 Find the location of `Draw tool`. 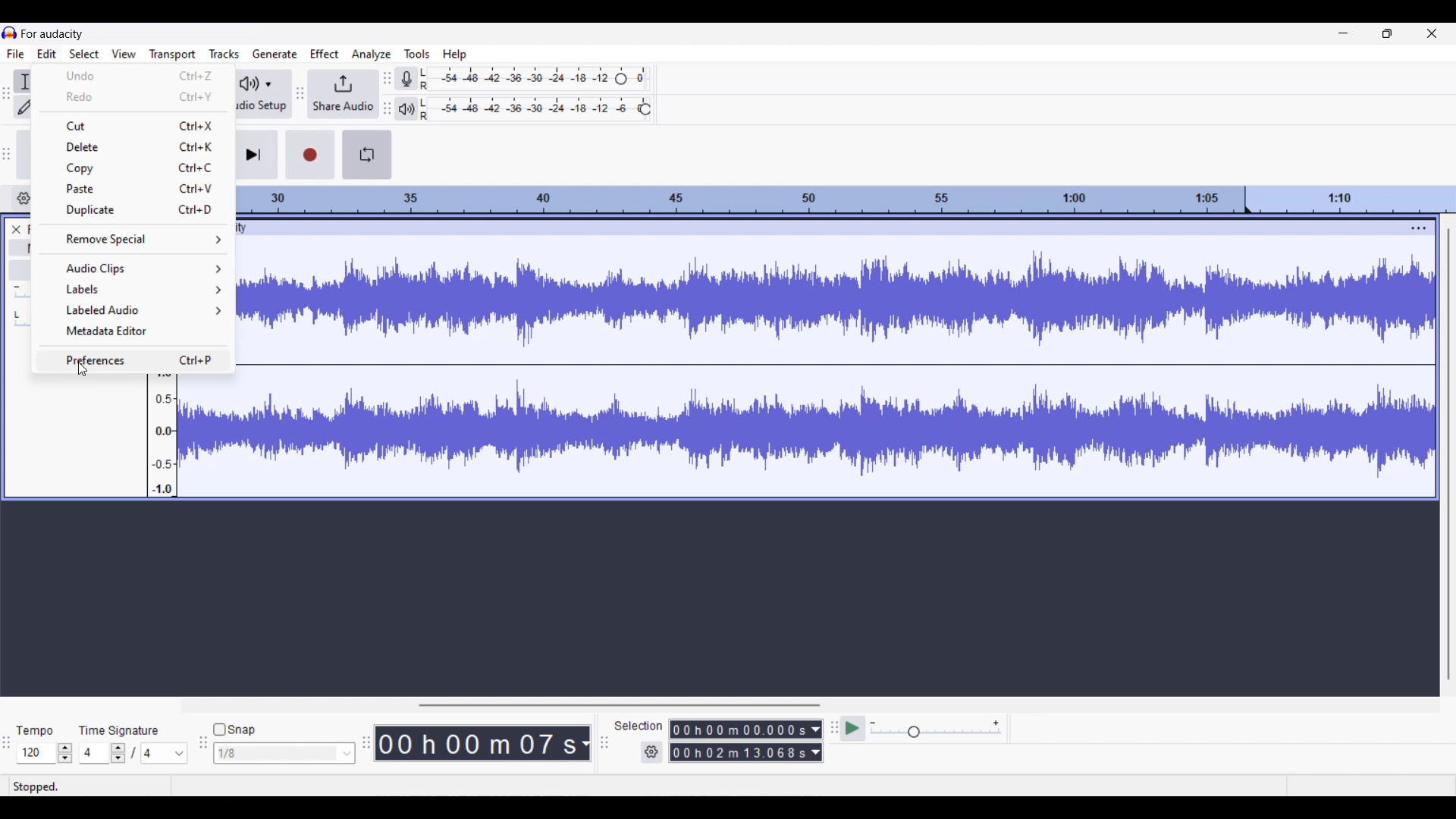

Draw tool is located at coordinates (24, 106).